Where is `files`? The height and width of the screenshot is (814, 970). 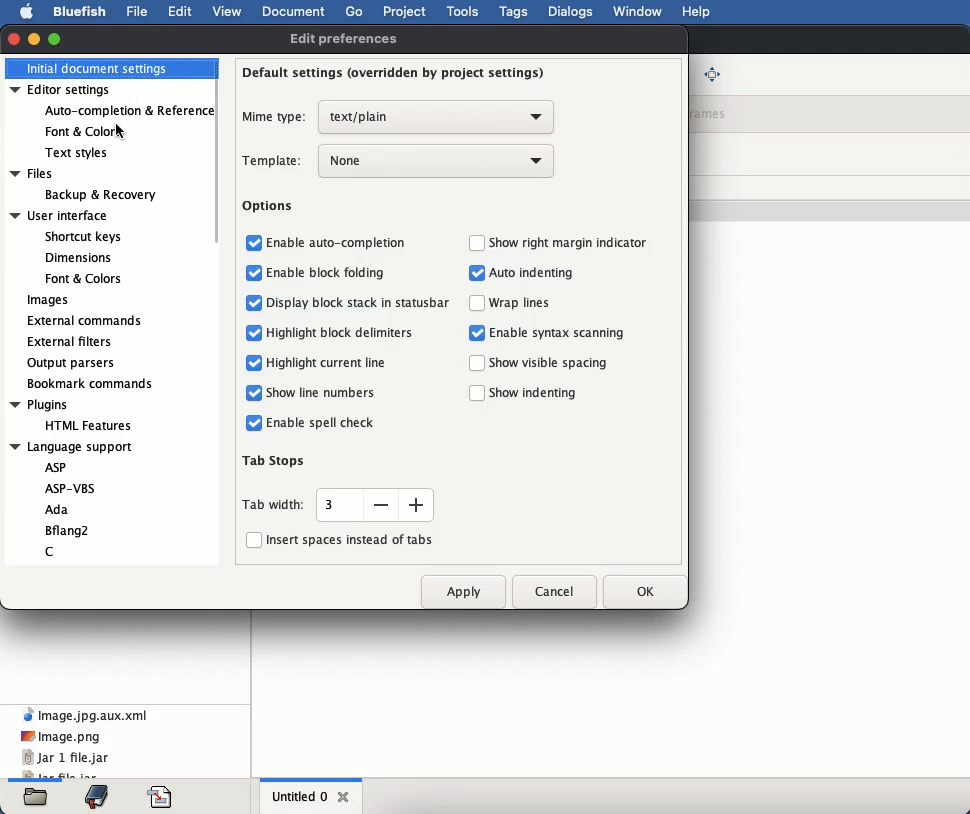
files is located at coordinates (36, 797).